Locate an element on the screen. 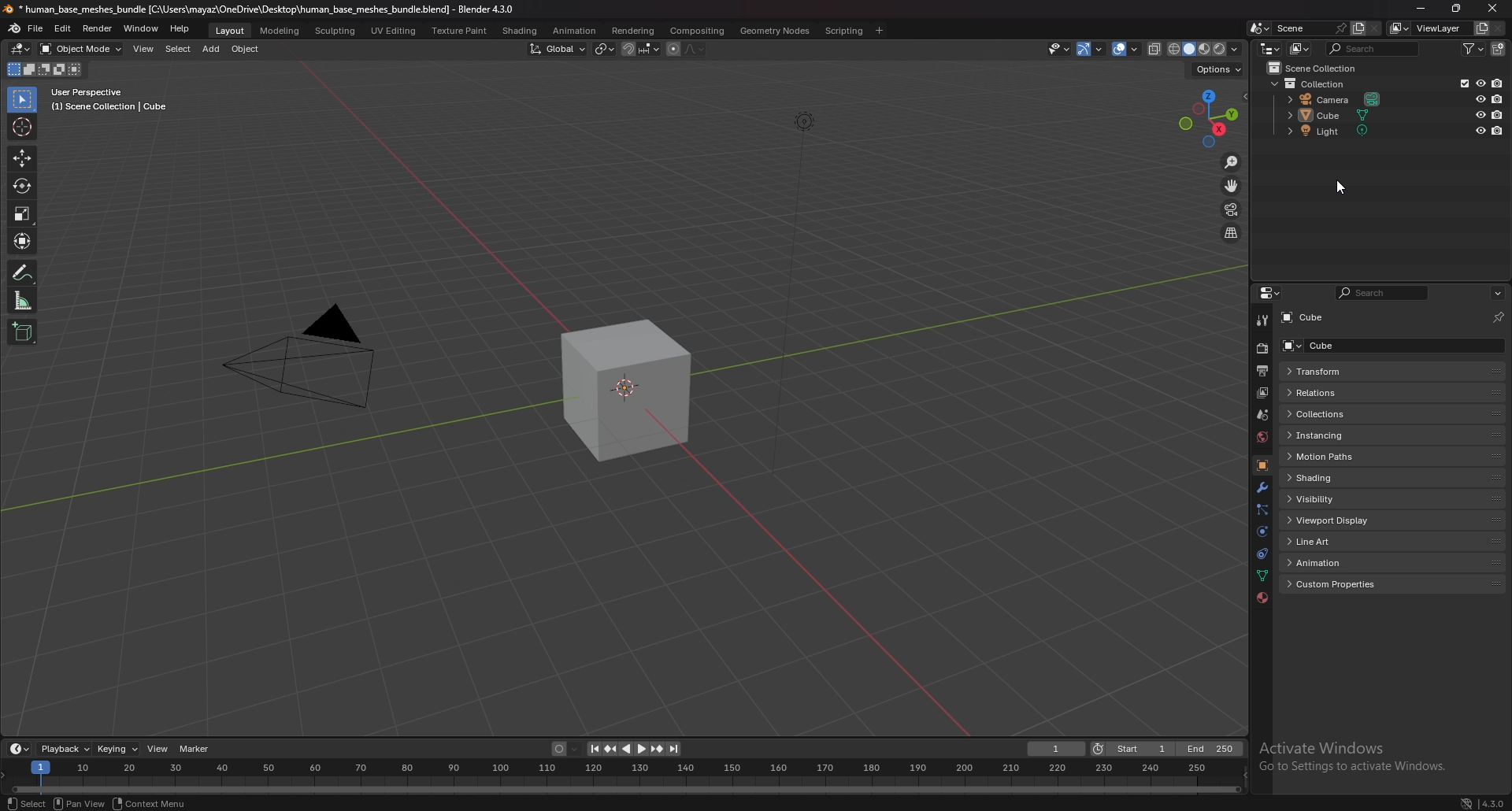 This screenshot has width=1512, height=811. editor type is located at coordinates (22, 48).